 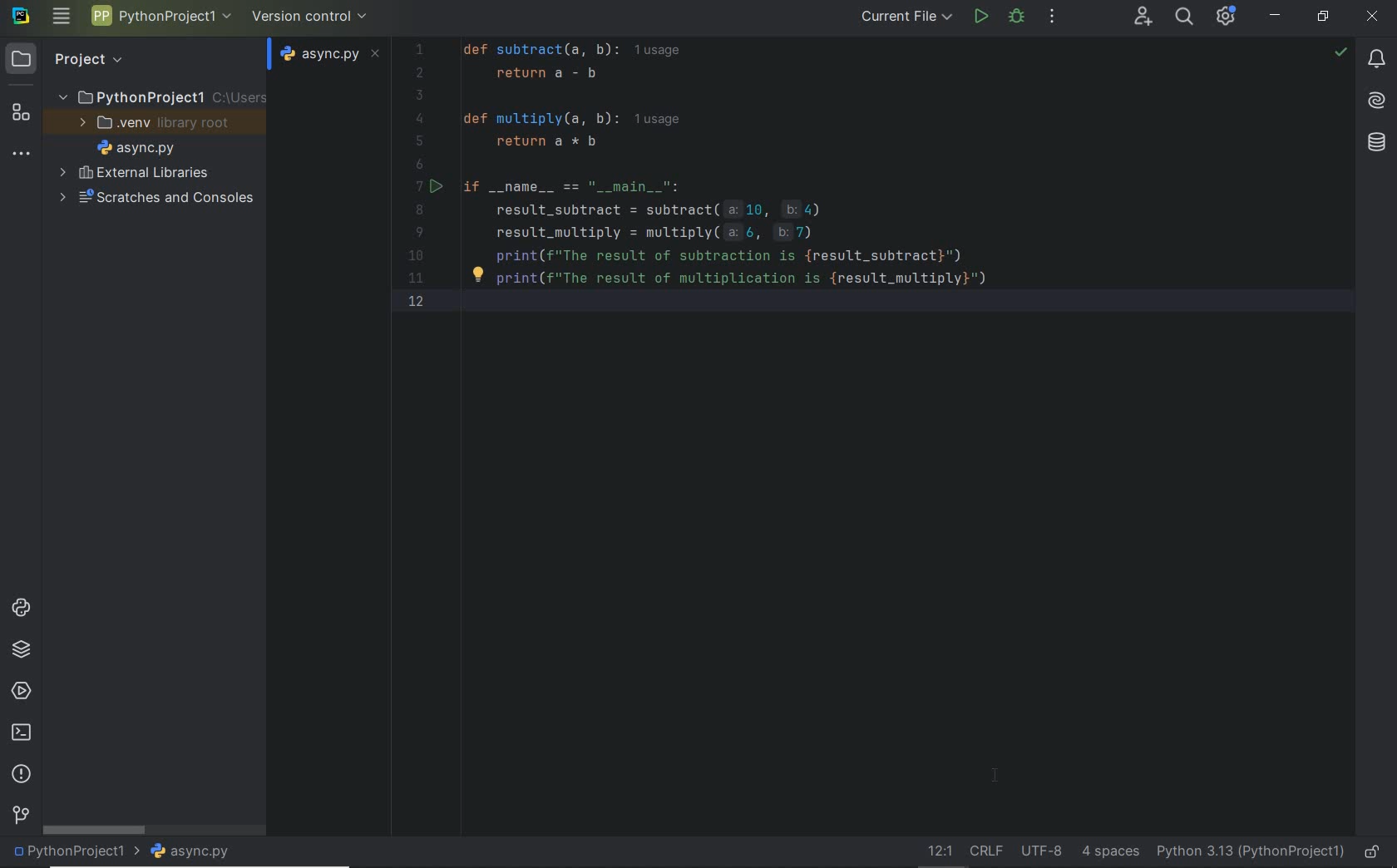 What do you see at coordinates (1277, 14) in the screenshot?
I see `MINIMIZE` at bounding box center [1277, 14].